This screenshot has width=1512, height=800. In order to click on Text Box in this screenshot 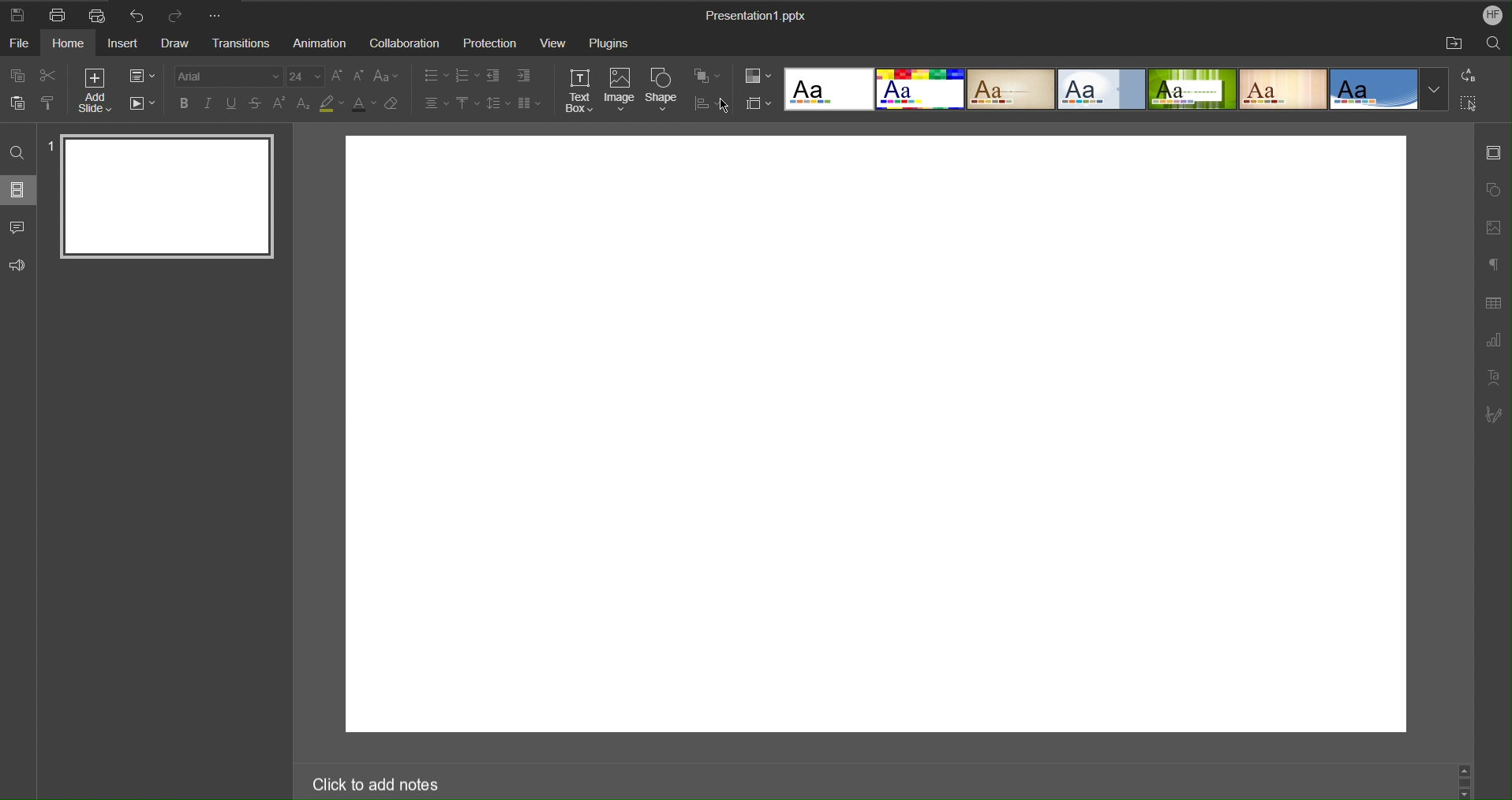, I will do `click(579, 91)`.